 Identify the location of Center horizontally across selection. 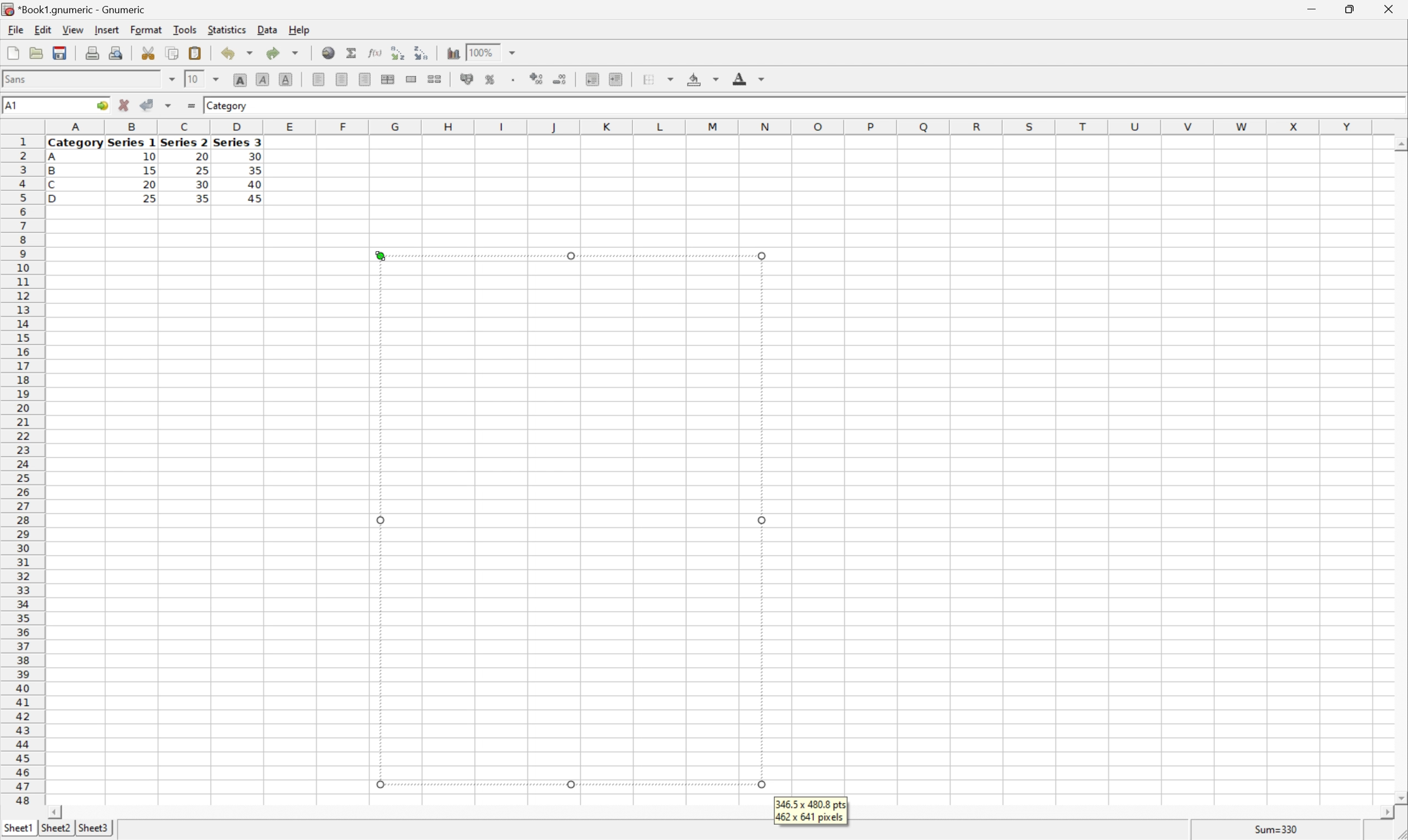
(387, 78).